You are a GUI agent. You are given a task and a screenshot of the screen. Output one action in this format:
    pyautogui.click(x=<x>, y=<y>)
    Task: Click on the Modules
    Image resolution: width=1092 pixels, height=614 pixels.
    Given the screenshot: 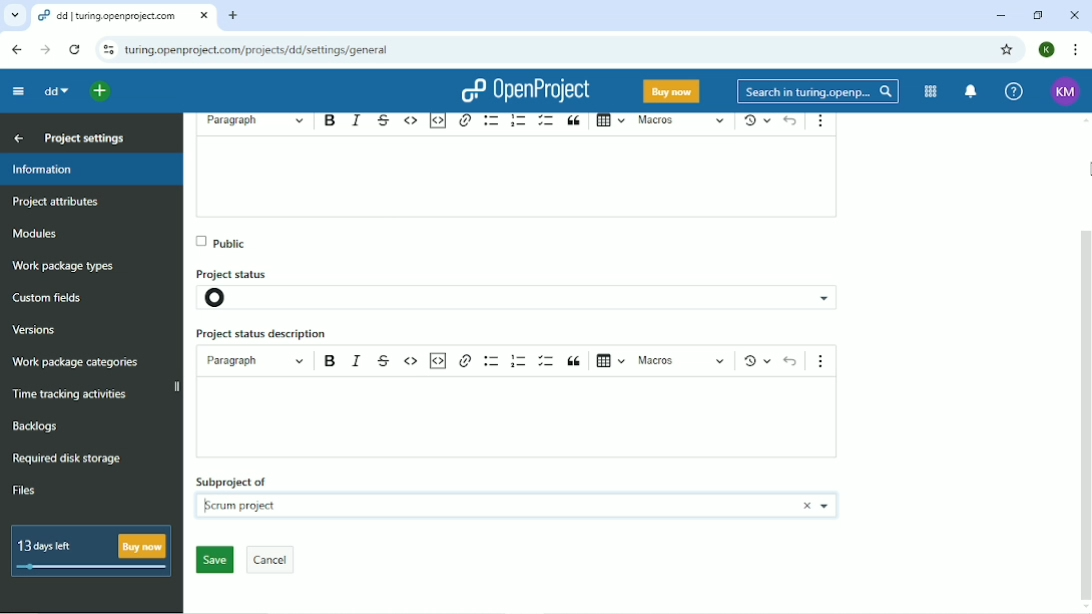 What is the action you would take?
    pyautogui.click(x=932, y=91)
    